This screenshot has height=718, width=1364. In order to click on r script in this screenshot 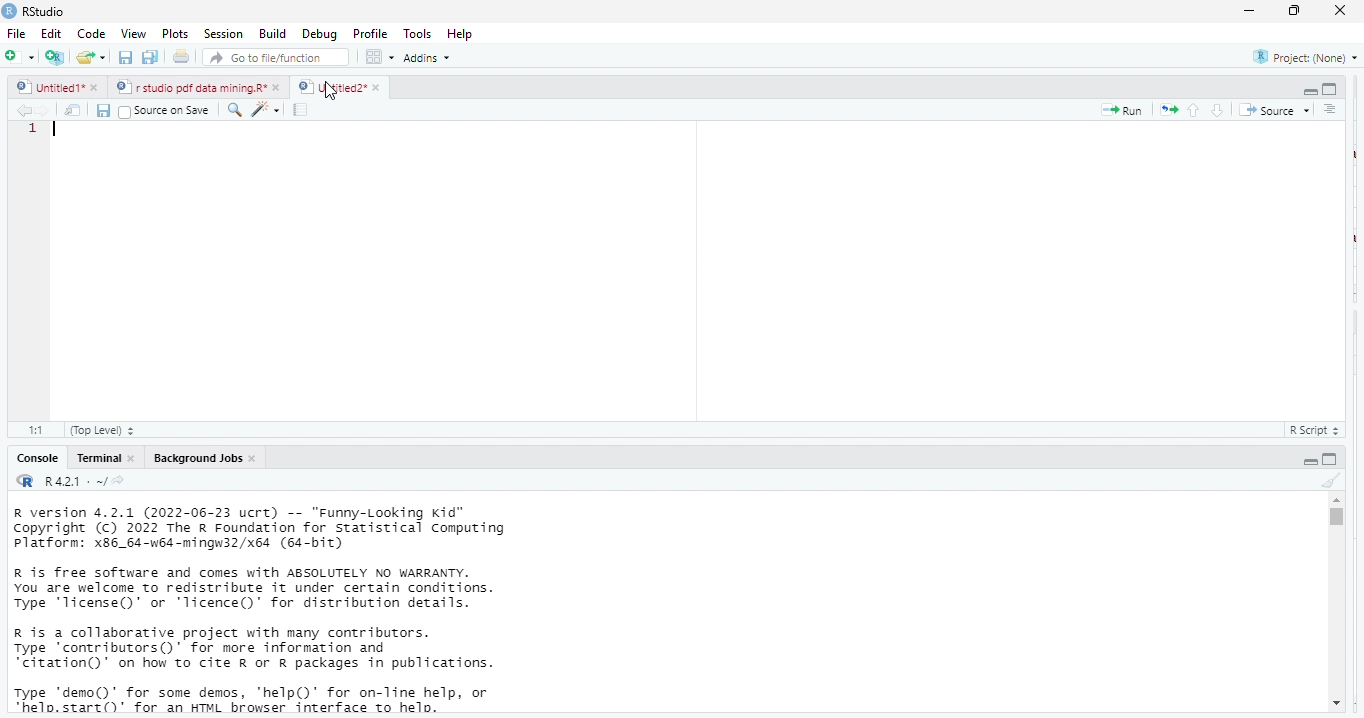, I will do `click(1319, 430)`.